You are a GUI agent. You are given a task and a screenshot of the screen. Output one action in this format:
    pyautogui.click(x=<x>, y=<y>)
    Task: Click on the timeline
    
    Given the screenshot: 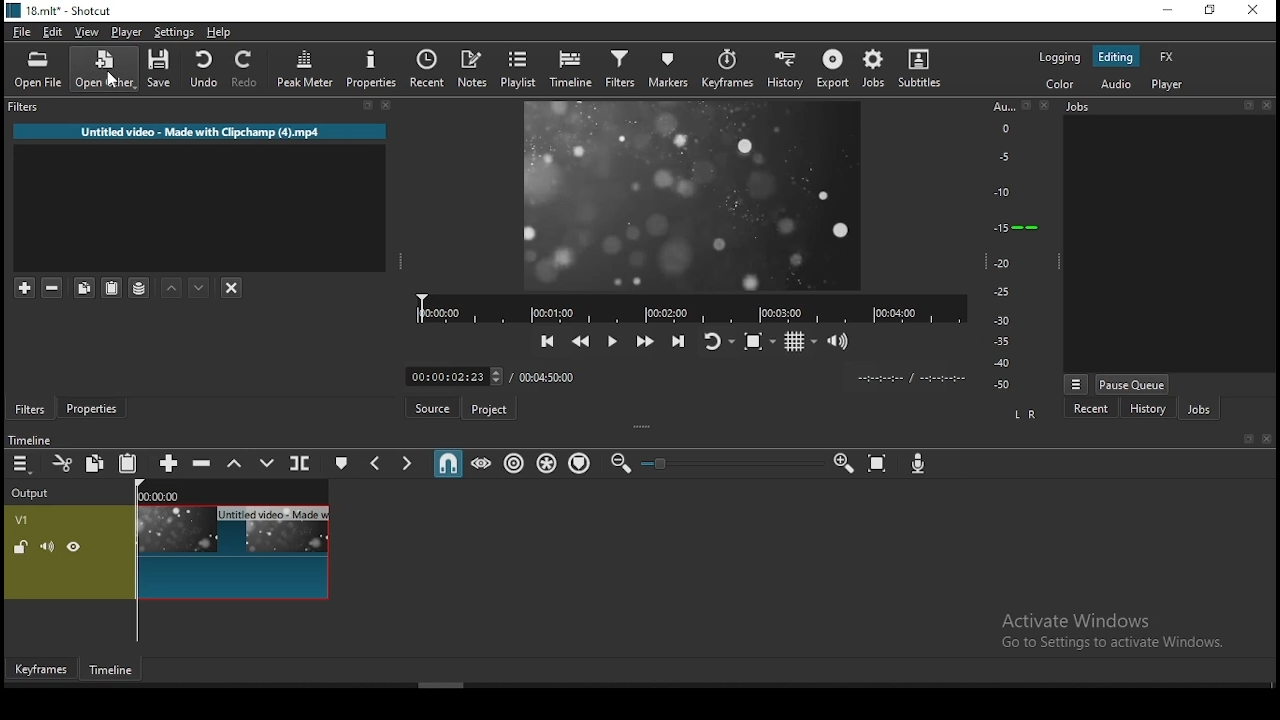 What is the action you would take?
    pyautogui.click(x=571, y=68)
    